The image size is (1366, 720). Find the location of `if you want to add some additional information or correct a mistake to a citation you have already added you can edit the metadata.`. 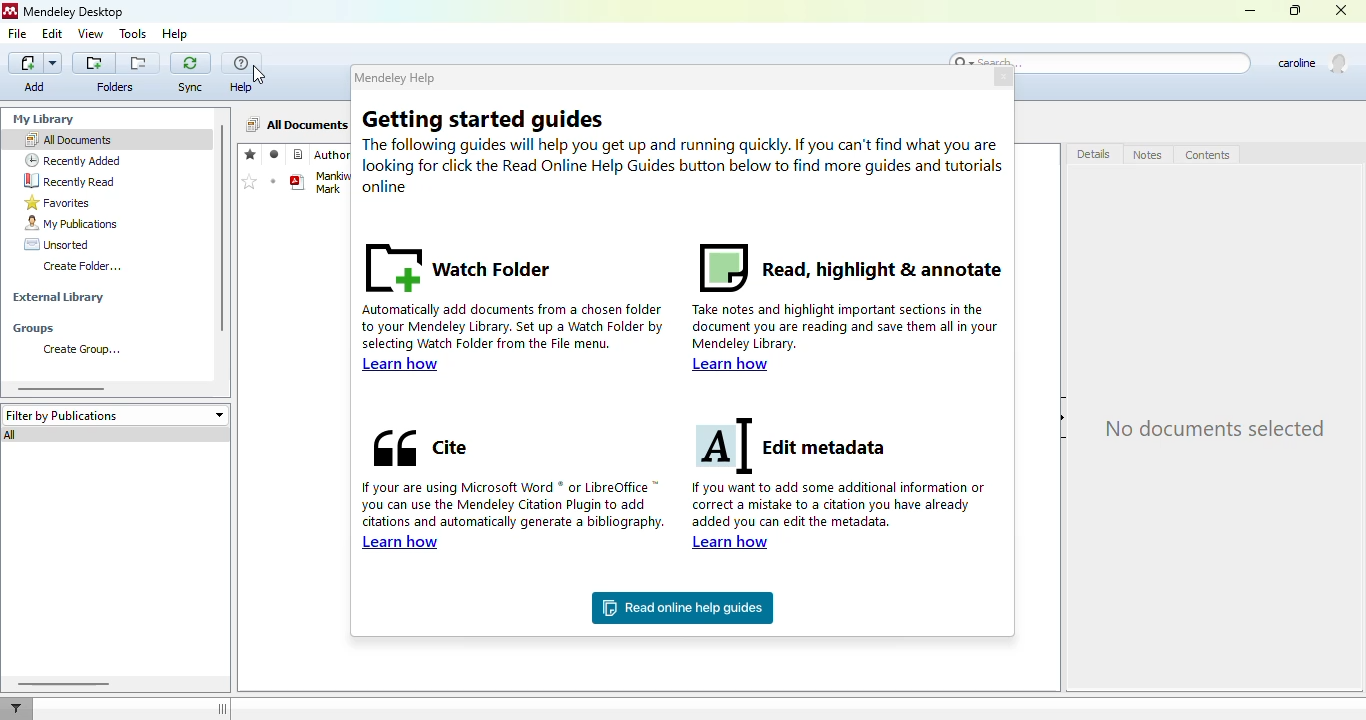

if you want to add some additional information or correct a mistake to a citation you have already added you can edit the metadata. is located at coordinates (838, 505).